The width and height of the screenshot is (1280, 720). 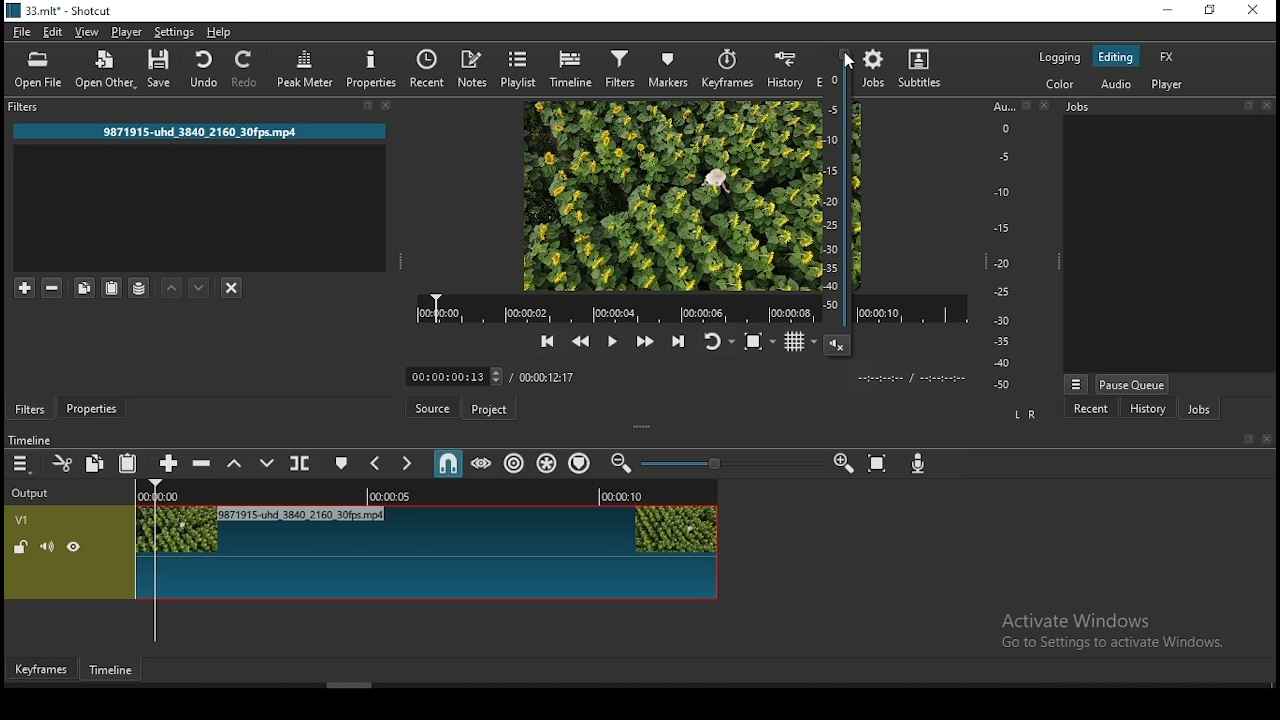 What do you see at coordinates (920, 68) in the screenshot?
I see `subtitle` at bounding box center [920, 68].